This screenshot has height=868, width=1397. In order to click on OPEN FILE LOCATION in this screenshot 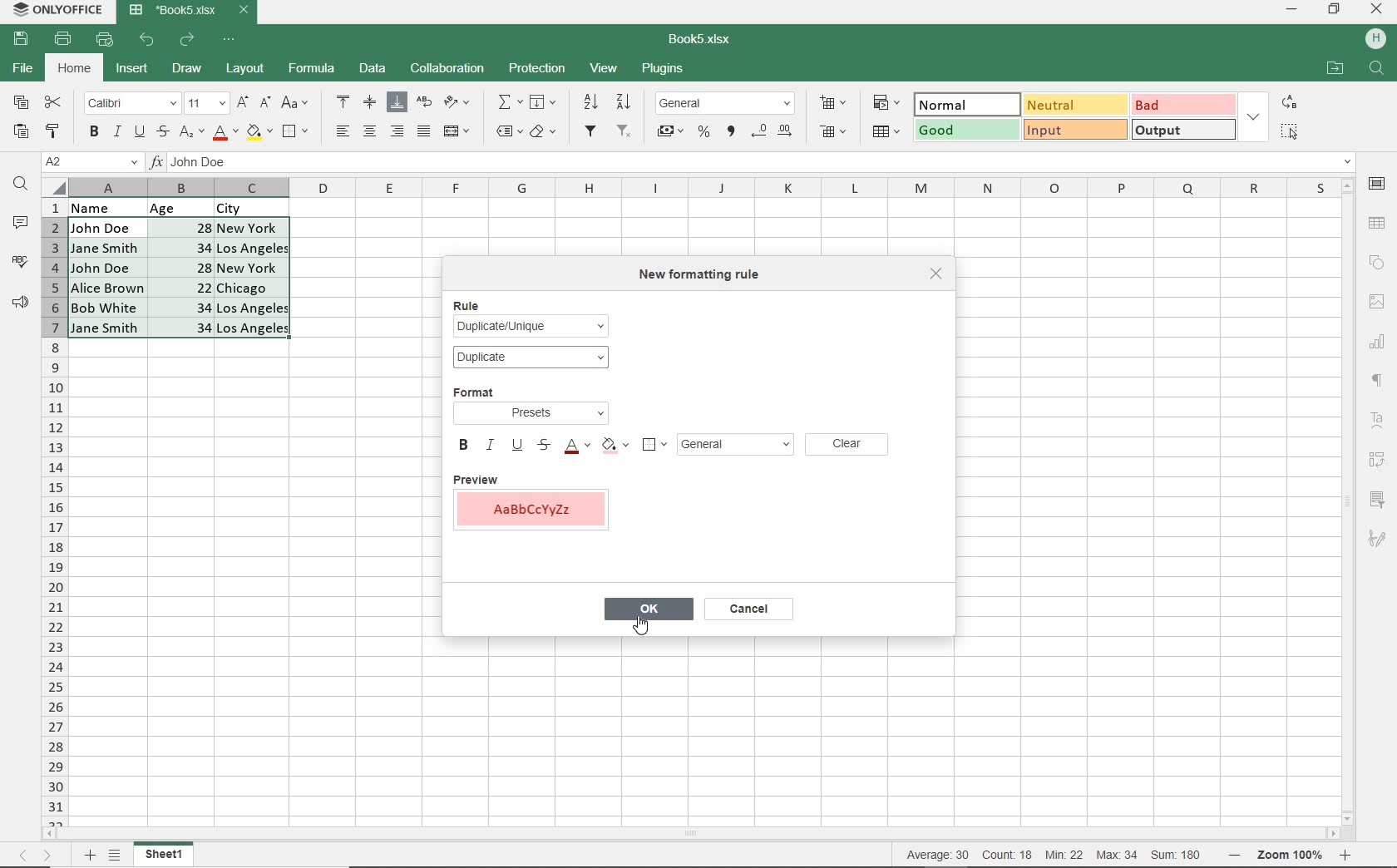, I will do `click(1335, 70)`.